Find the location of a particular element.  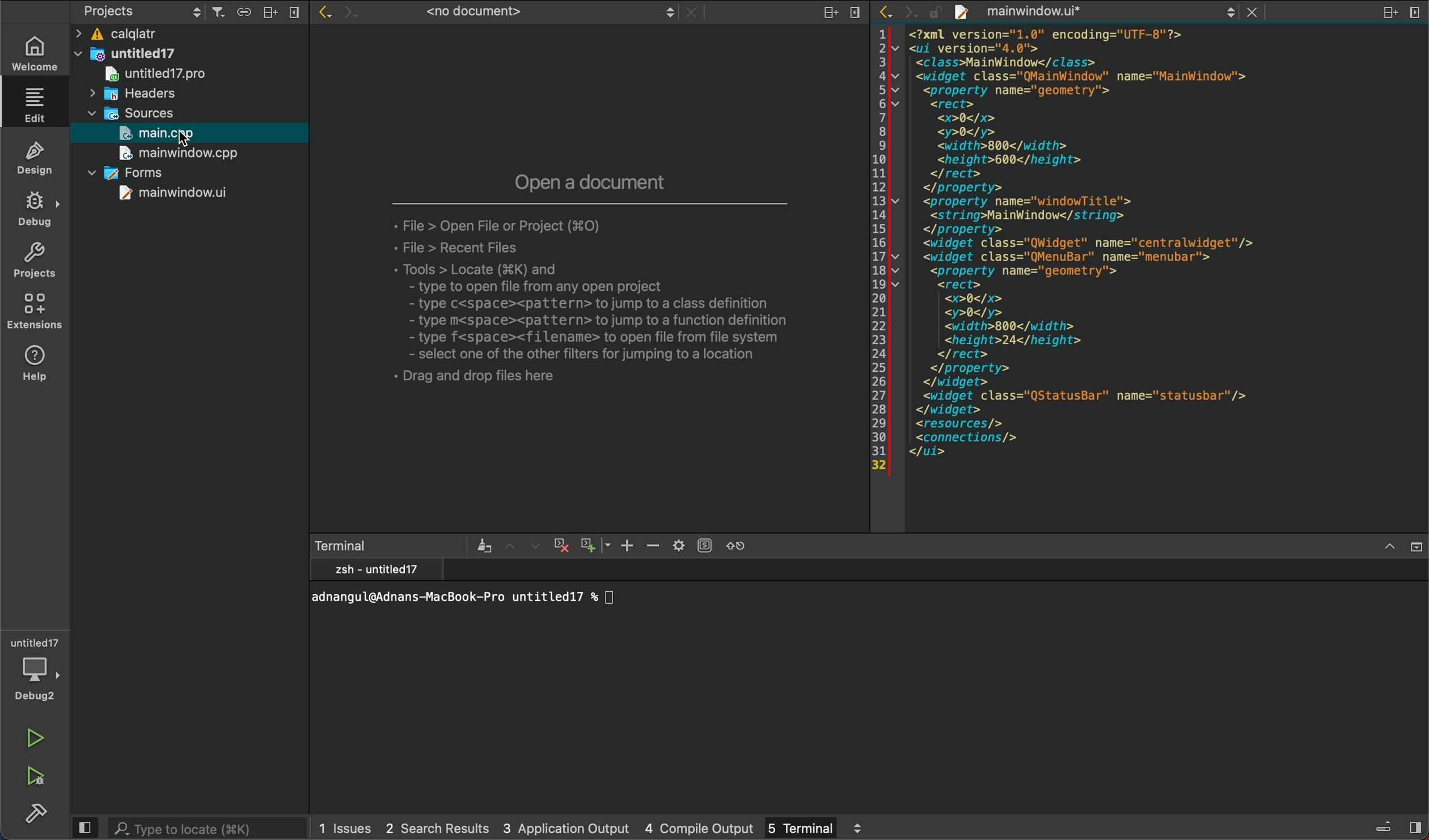

file tab is located at coordinates (1099, 13).